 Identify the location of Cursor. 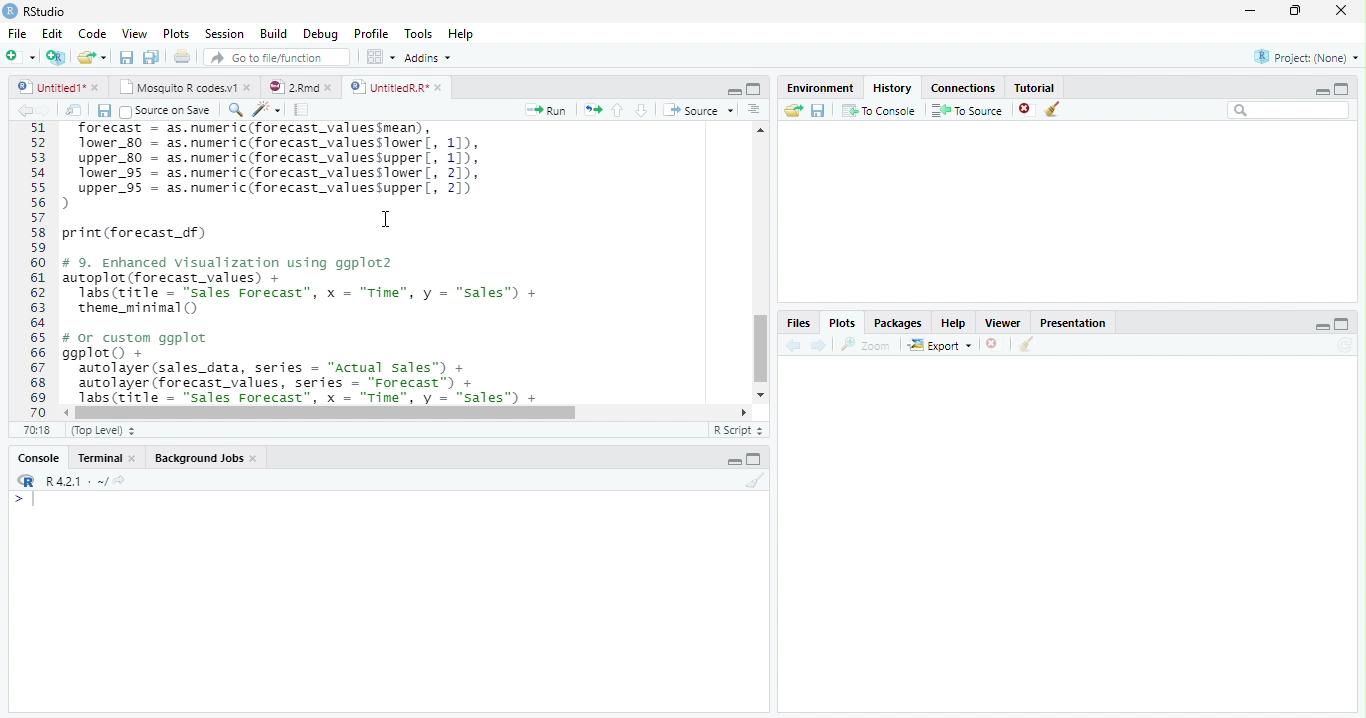
(386, 219).